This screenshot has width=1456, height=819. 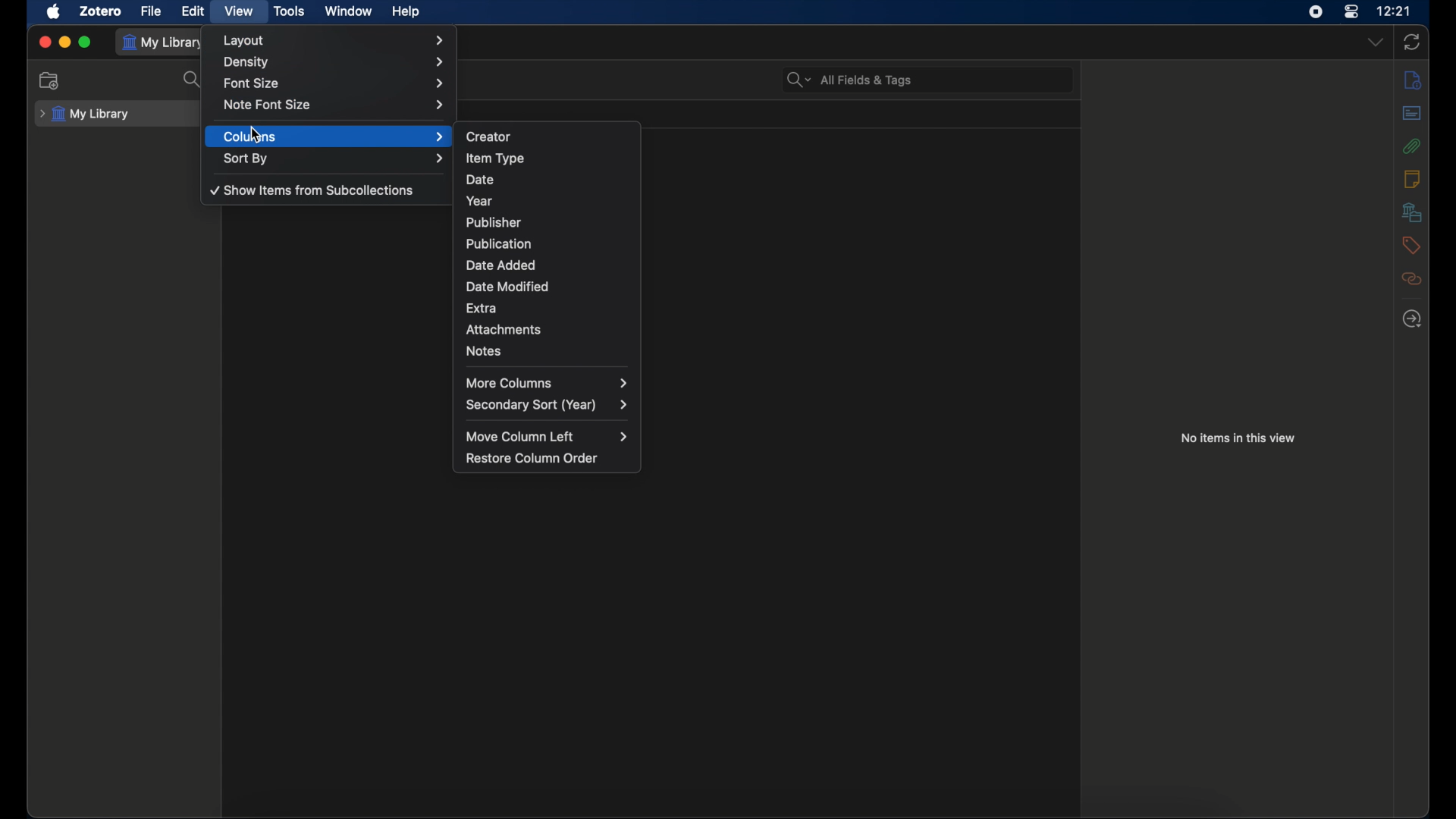 What do you see at coordinates (335, 84) in the screenshot?
I see `font size` at bounding box center [335, 84].